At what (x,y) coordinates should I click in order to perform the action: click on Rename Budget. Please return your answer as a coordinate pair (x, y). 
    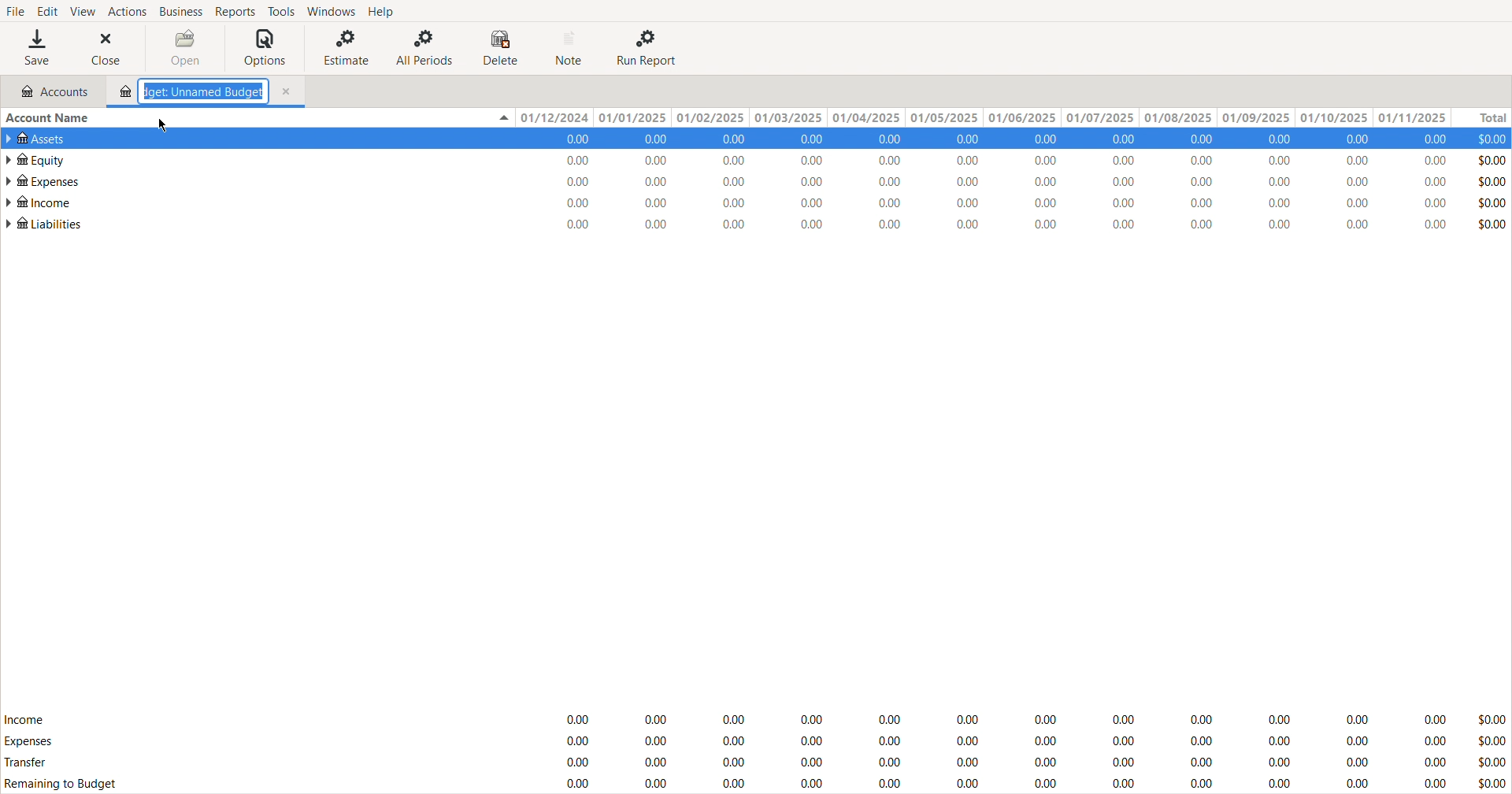
    Looking at the image, I should click on (209, 93).